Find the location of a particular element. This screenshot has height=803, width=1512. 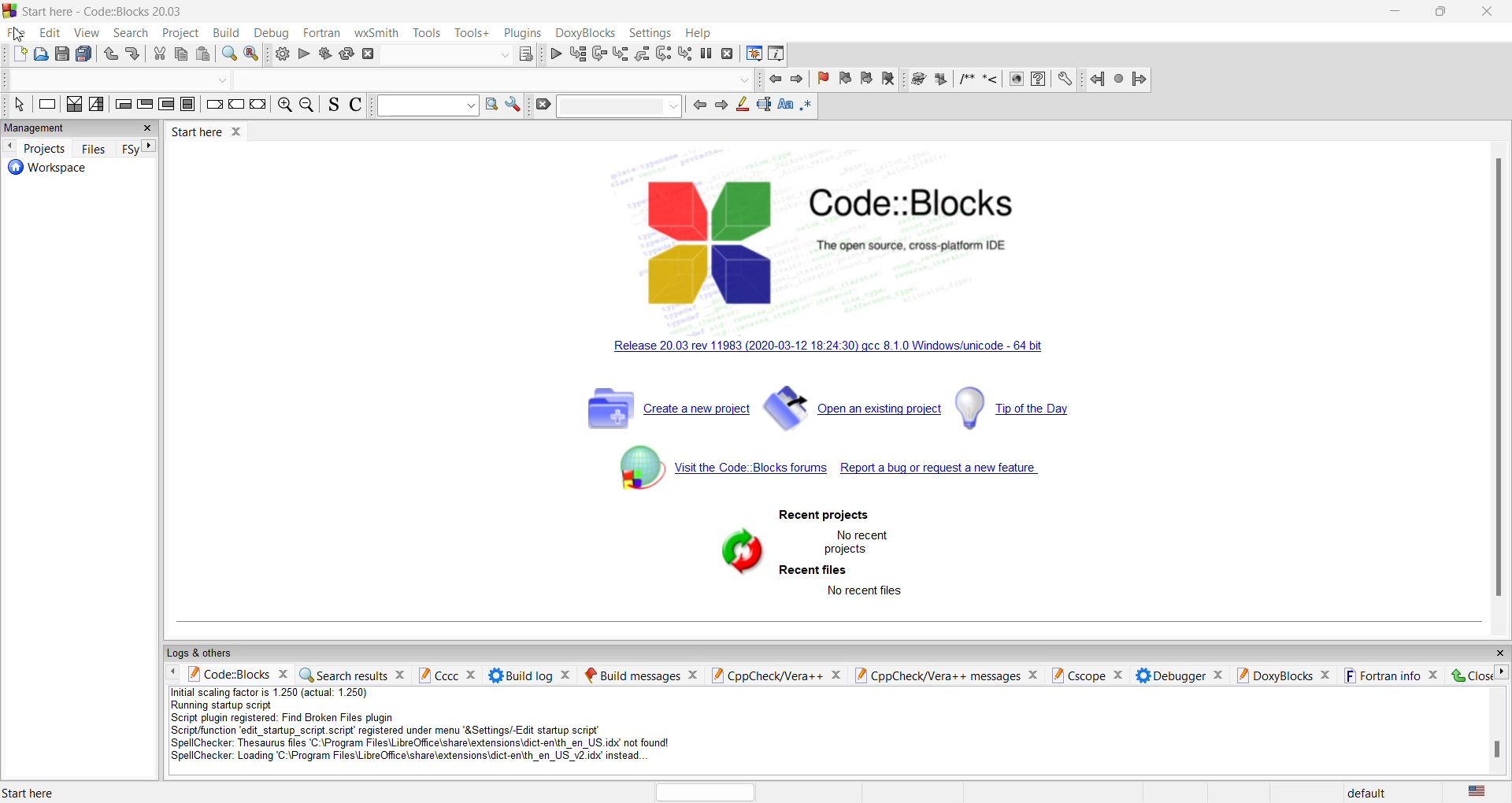

view is located at coordinates (87, 35).